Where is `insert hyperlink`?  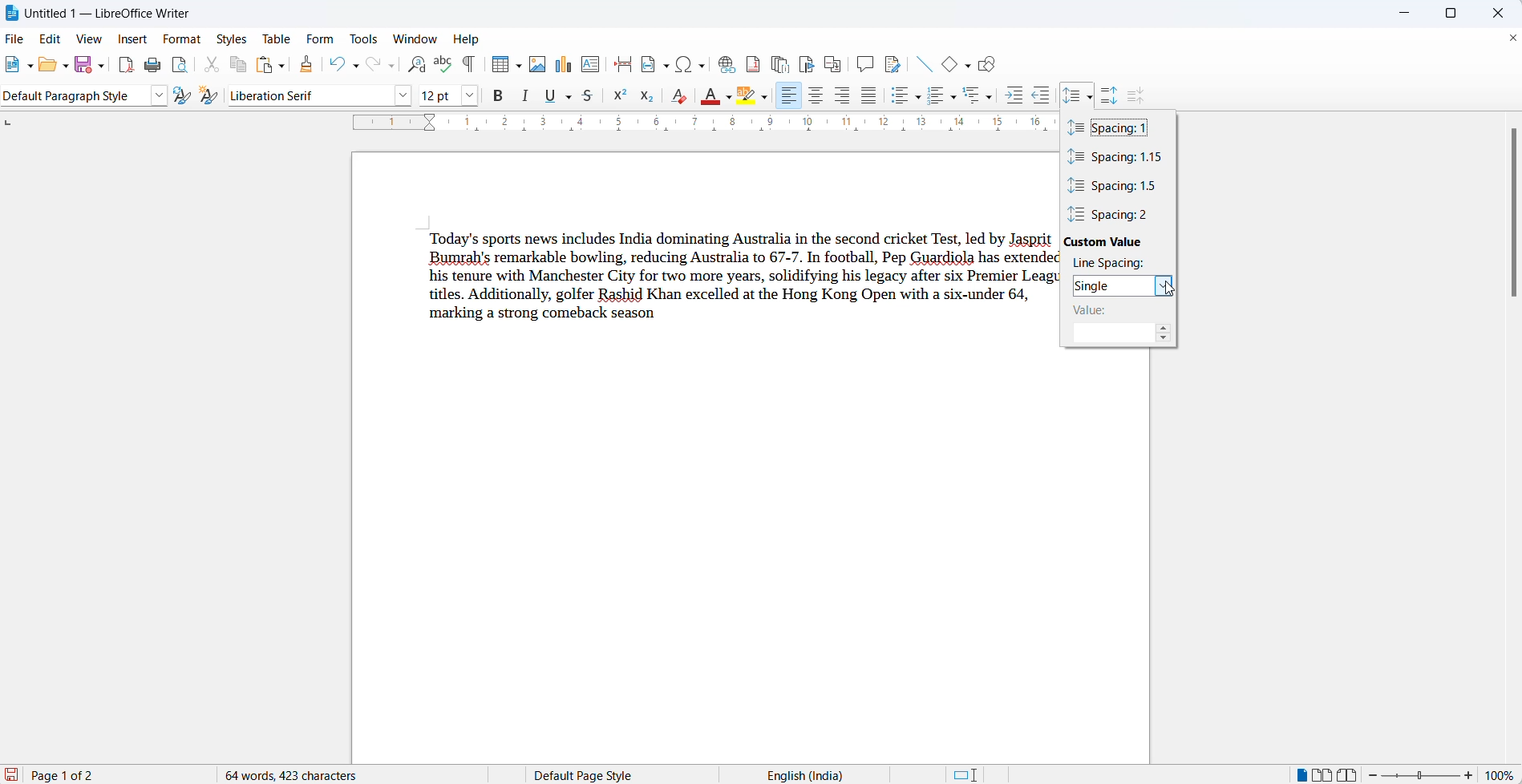
insert hyperlink is located at coordinates (689, 64).